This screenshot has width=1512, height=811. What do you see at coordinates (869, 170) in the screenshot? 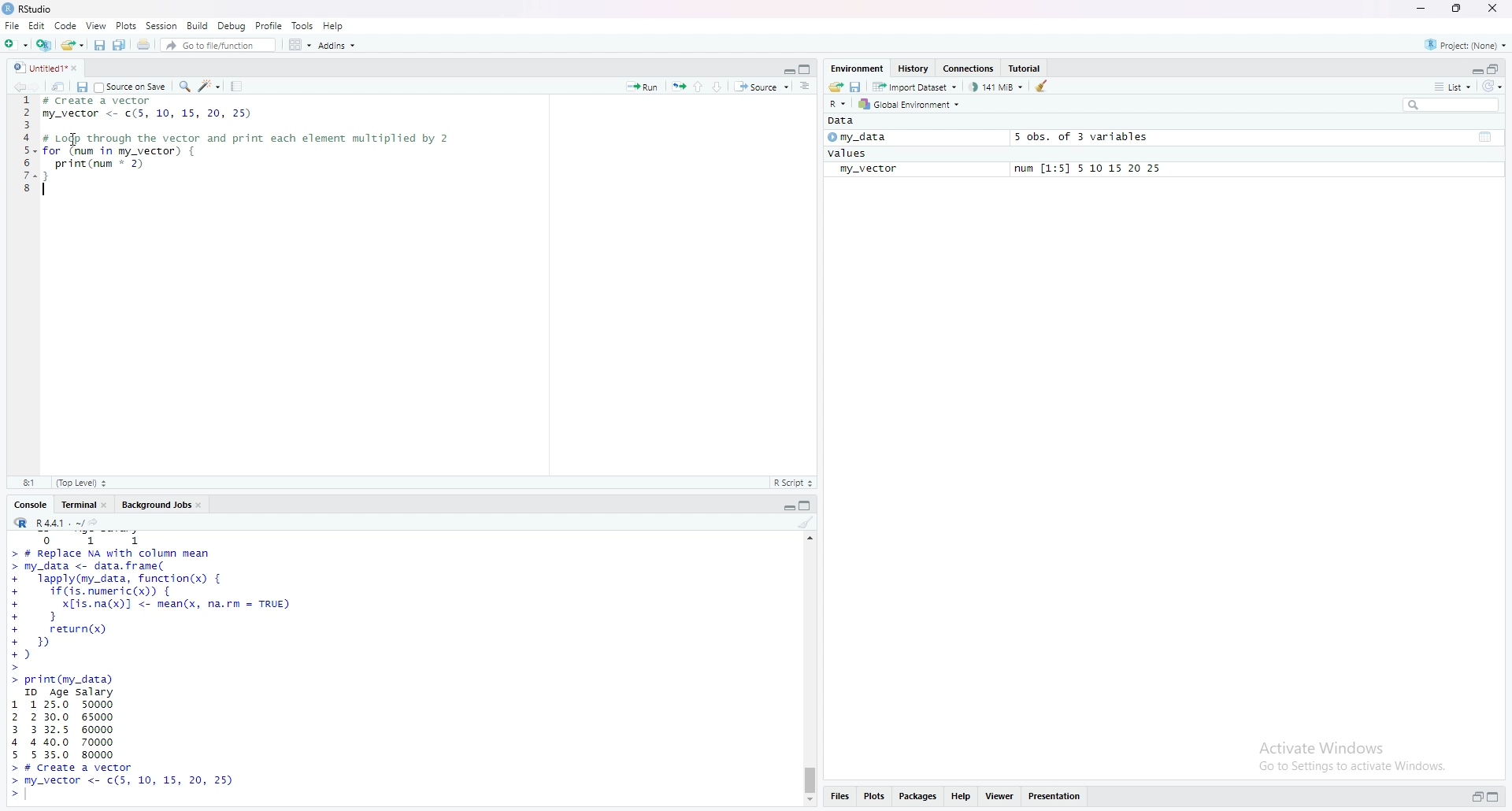
I see `my_vector` at bounding box center [869, 170].